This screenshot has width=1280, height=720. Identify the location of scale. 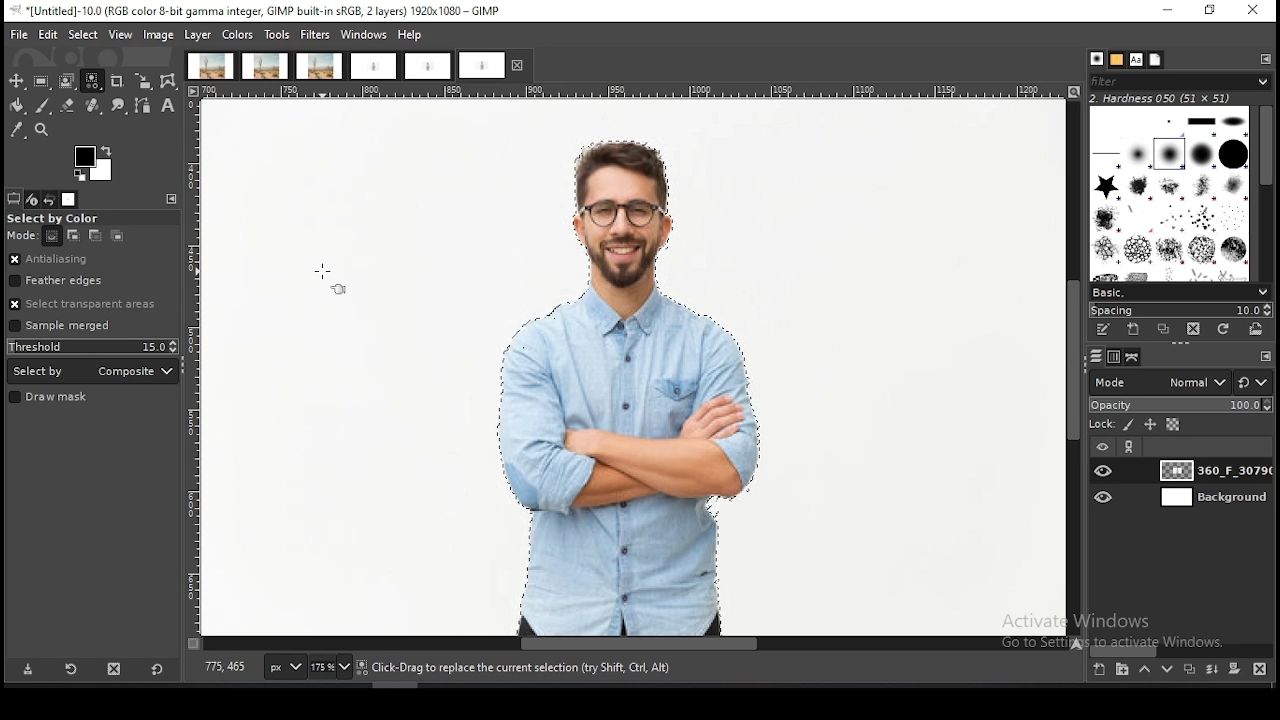
(194, 368).